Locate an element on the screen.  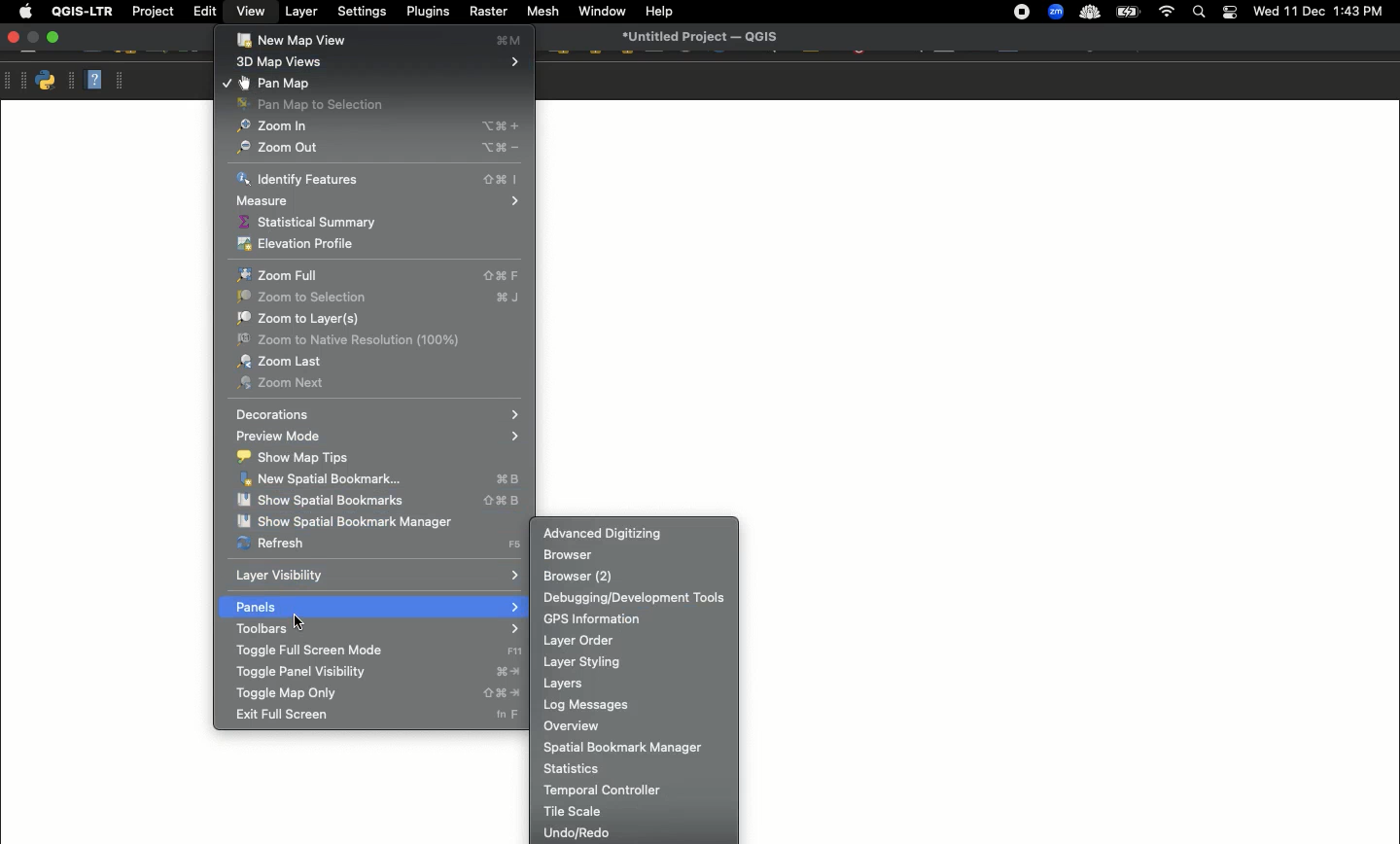
Measure is located at coordinates (381, 200).